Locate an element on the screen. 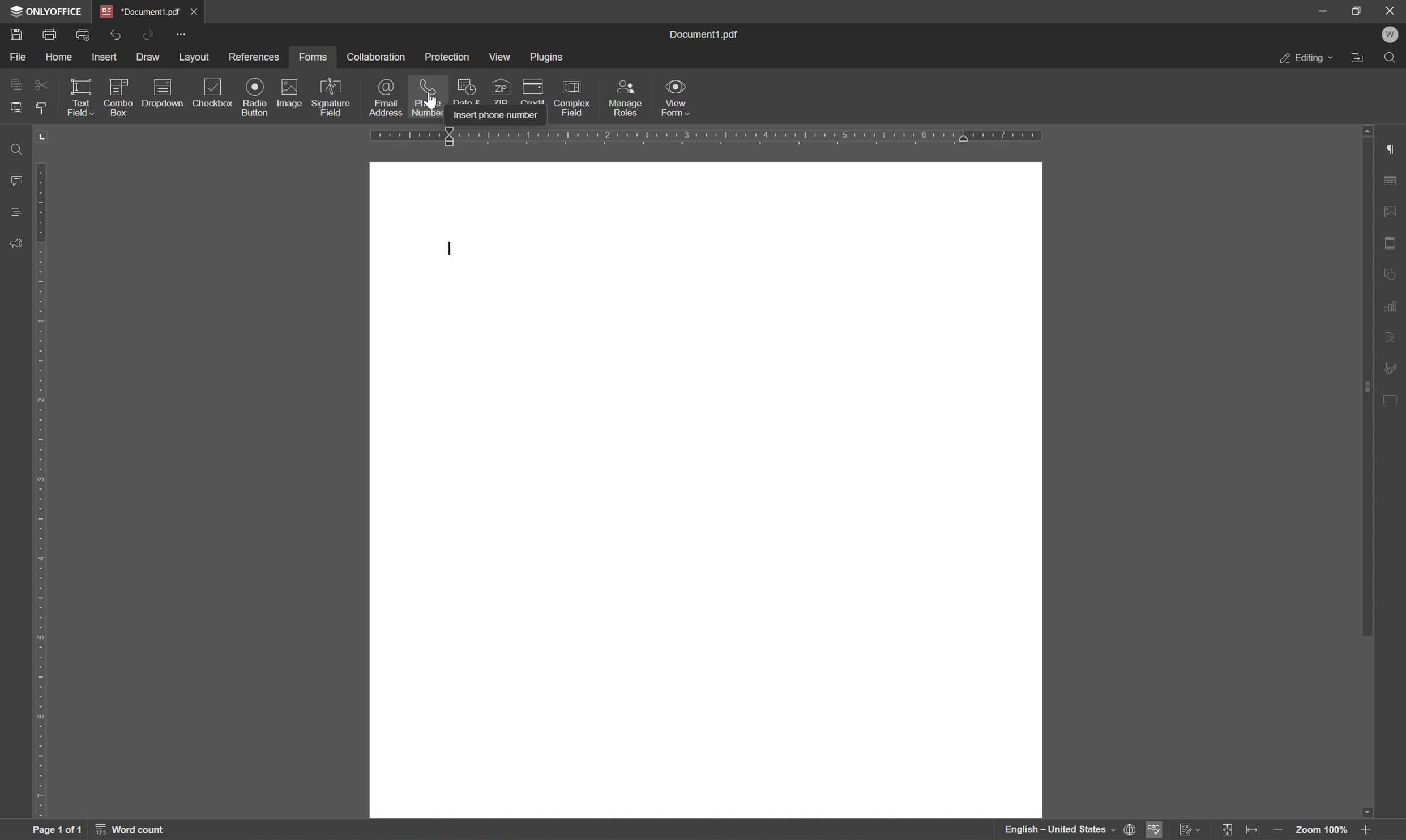 The height and width of the screenshot is (840, 1406). view form is located at coordinates (676, 96).